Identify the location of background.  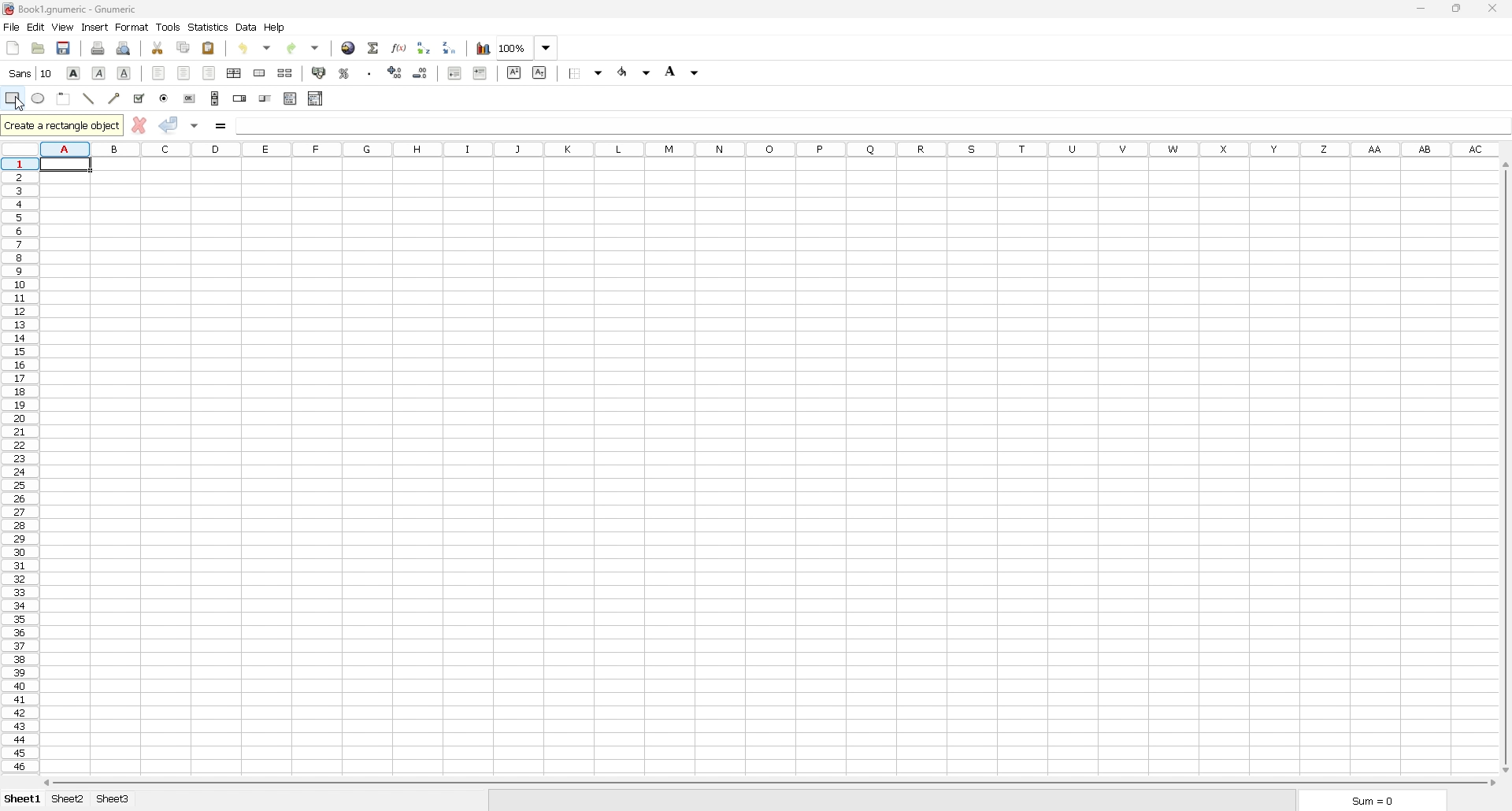
(682, 72).